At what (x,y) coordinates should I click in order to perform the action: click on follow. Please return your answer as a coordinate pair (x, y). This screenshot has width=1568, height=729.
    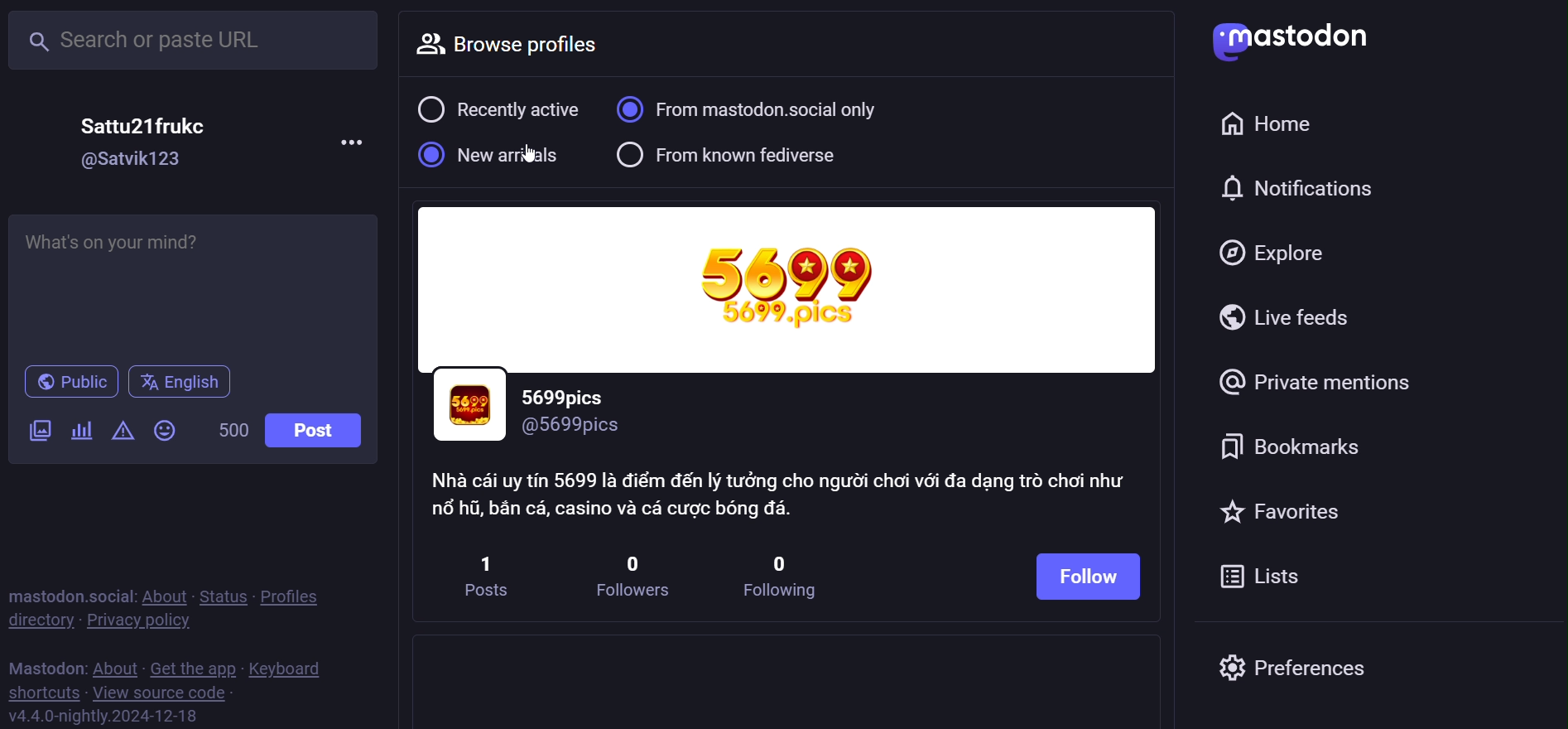
    Looking at the image, I should click on (1088, 576).